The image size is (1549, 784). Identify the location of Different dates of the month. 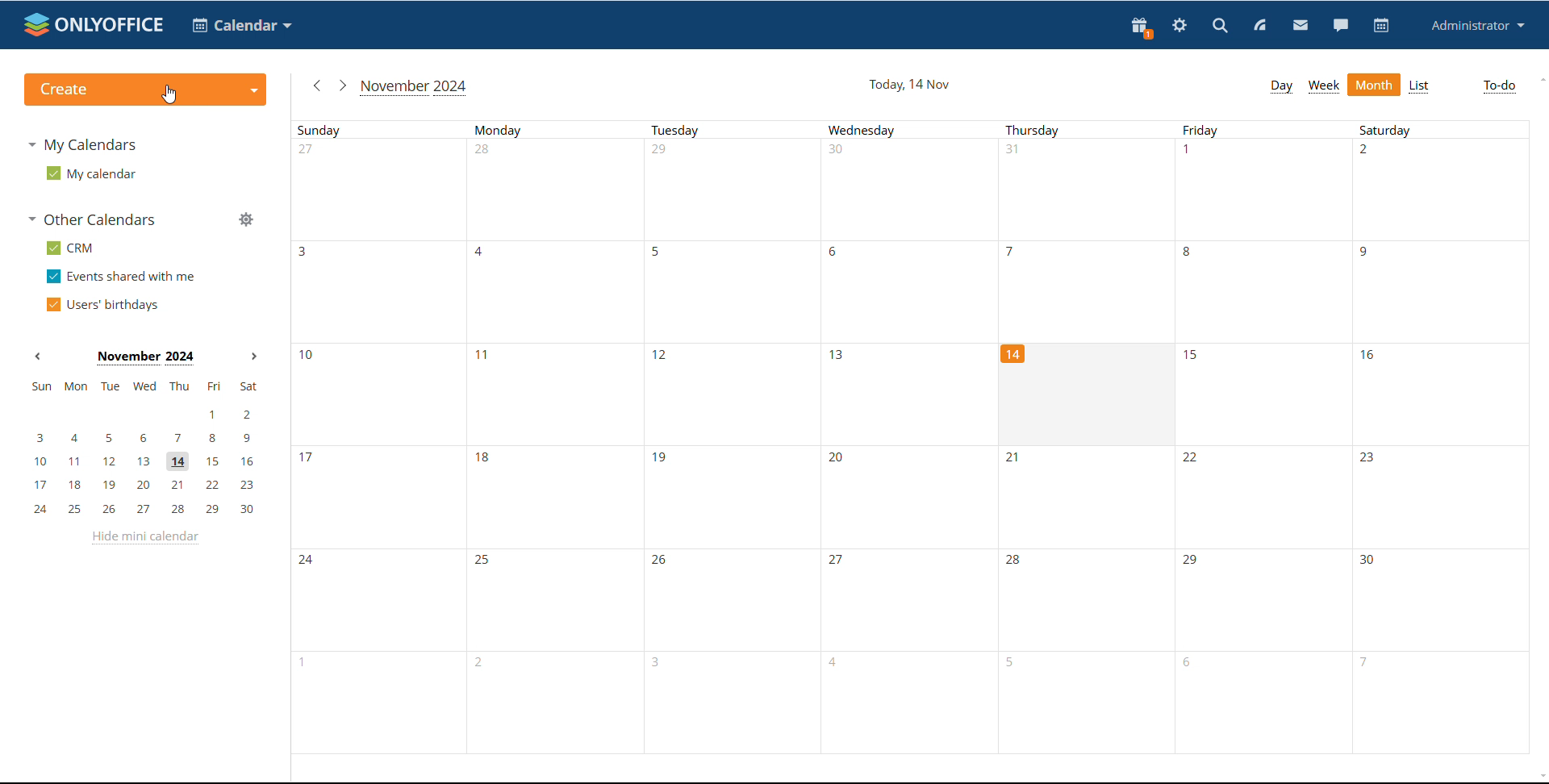
(1362, 395).